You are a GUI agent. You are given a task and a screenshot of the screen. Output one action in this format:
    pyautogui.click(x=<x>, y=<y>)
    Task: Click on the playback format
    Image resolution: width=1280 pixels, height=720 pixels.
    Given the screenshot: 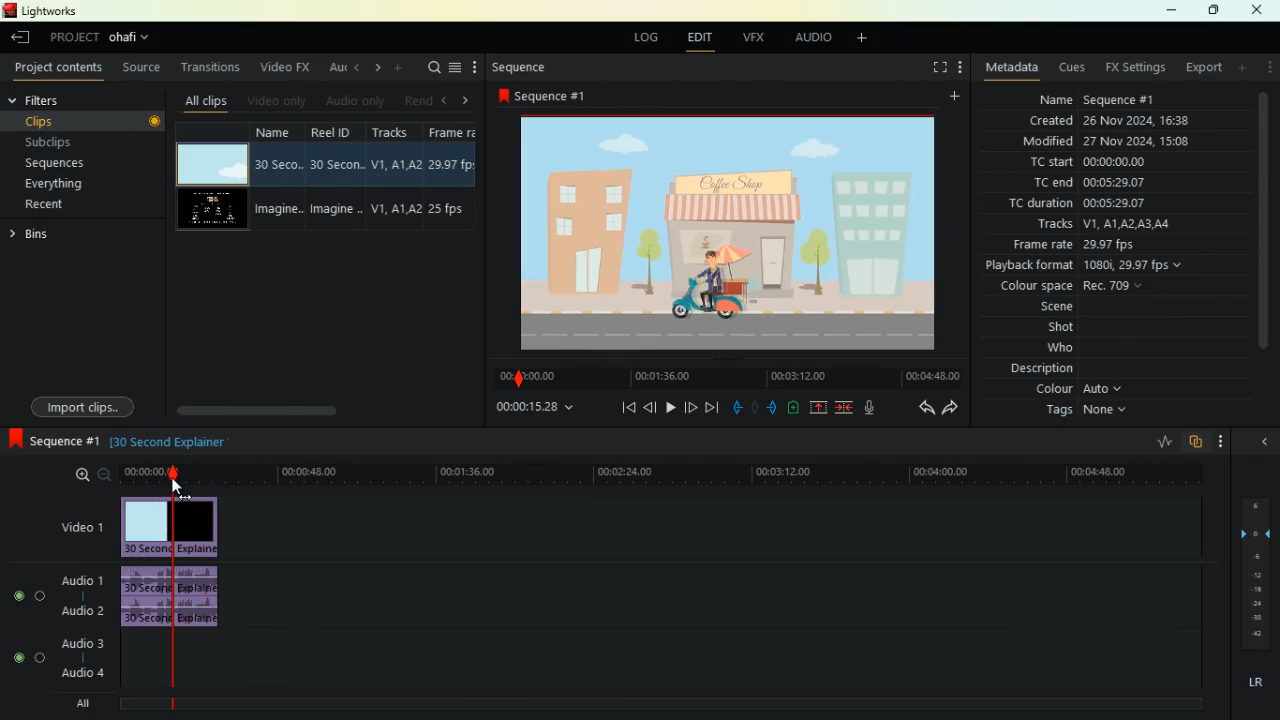 What is the action you would take?
    pyautogui.click(x=1029, y=266)
    